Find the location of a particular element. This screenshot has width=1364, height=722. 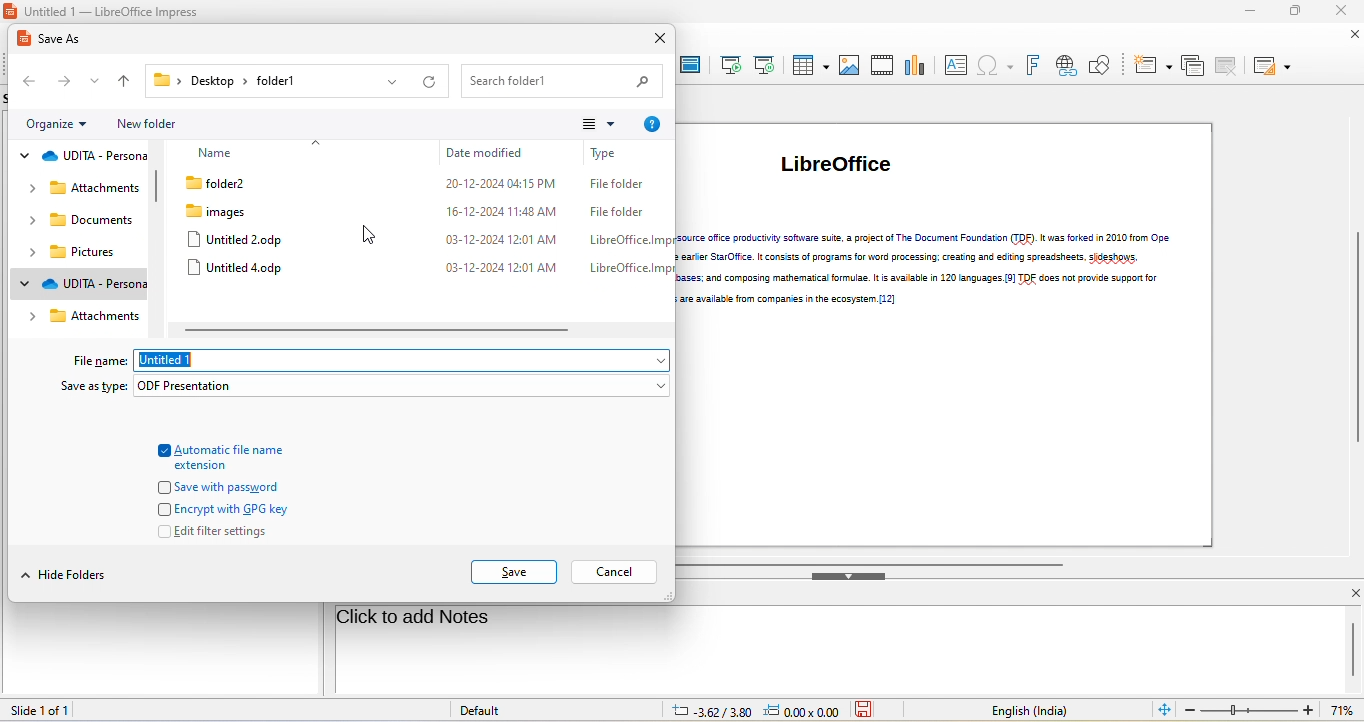

0.00x0.00 is located at coordinates (801, 711).